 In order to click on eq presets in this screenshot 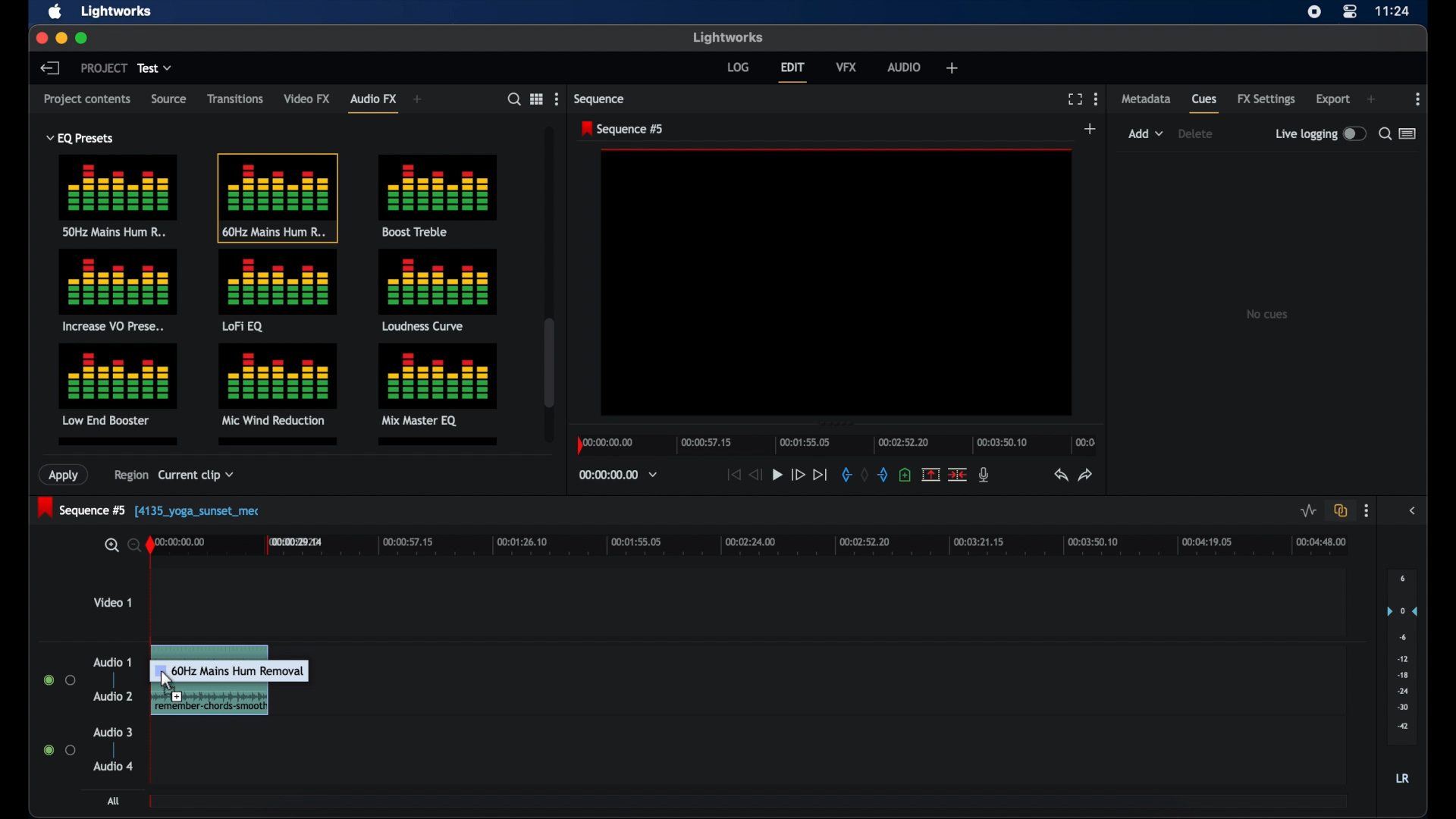, I will do `click(81, 138)`.